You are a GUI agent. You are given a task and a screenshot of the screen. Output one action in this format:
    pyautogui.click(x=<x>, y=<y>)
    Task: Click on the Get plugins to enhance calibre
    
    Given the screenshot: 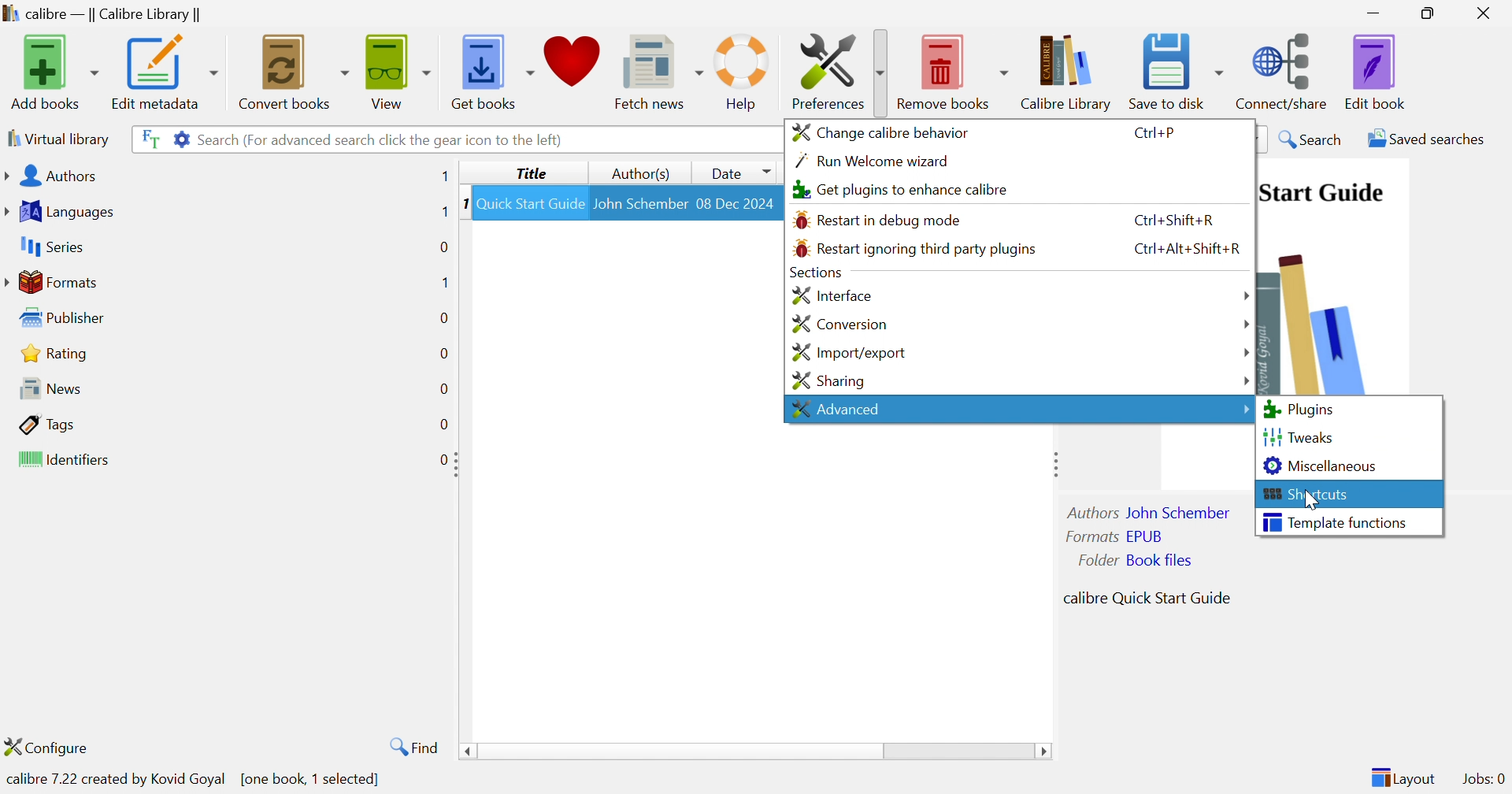 What is the action you would take?
    pyautogui.click(x=897, y=190)
    